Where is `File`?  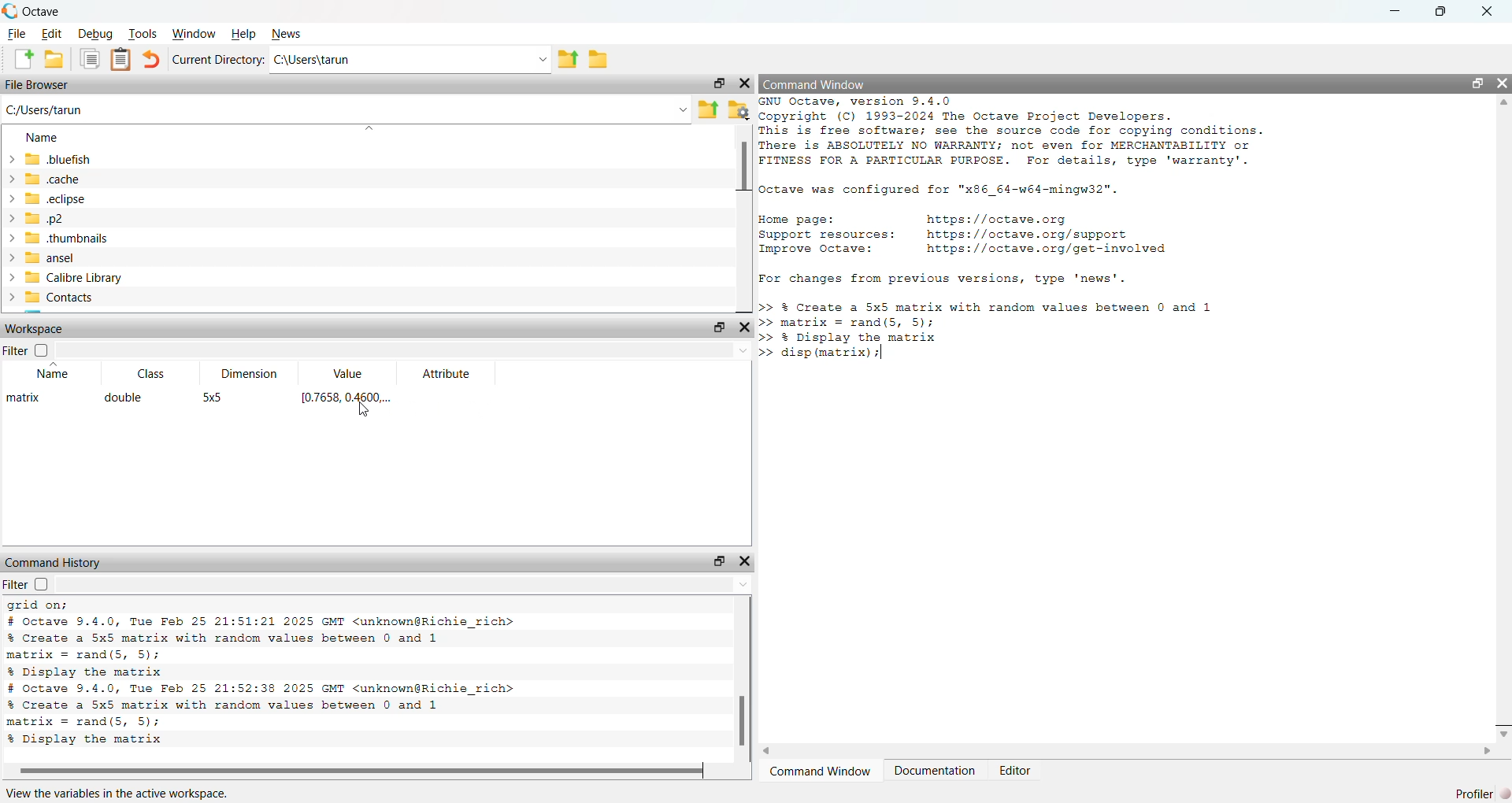
File is located at coordinates (17, 33).